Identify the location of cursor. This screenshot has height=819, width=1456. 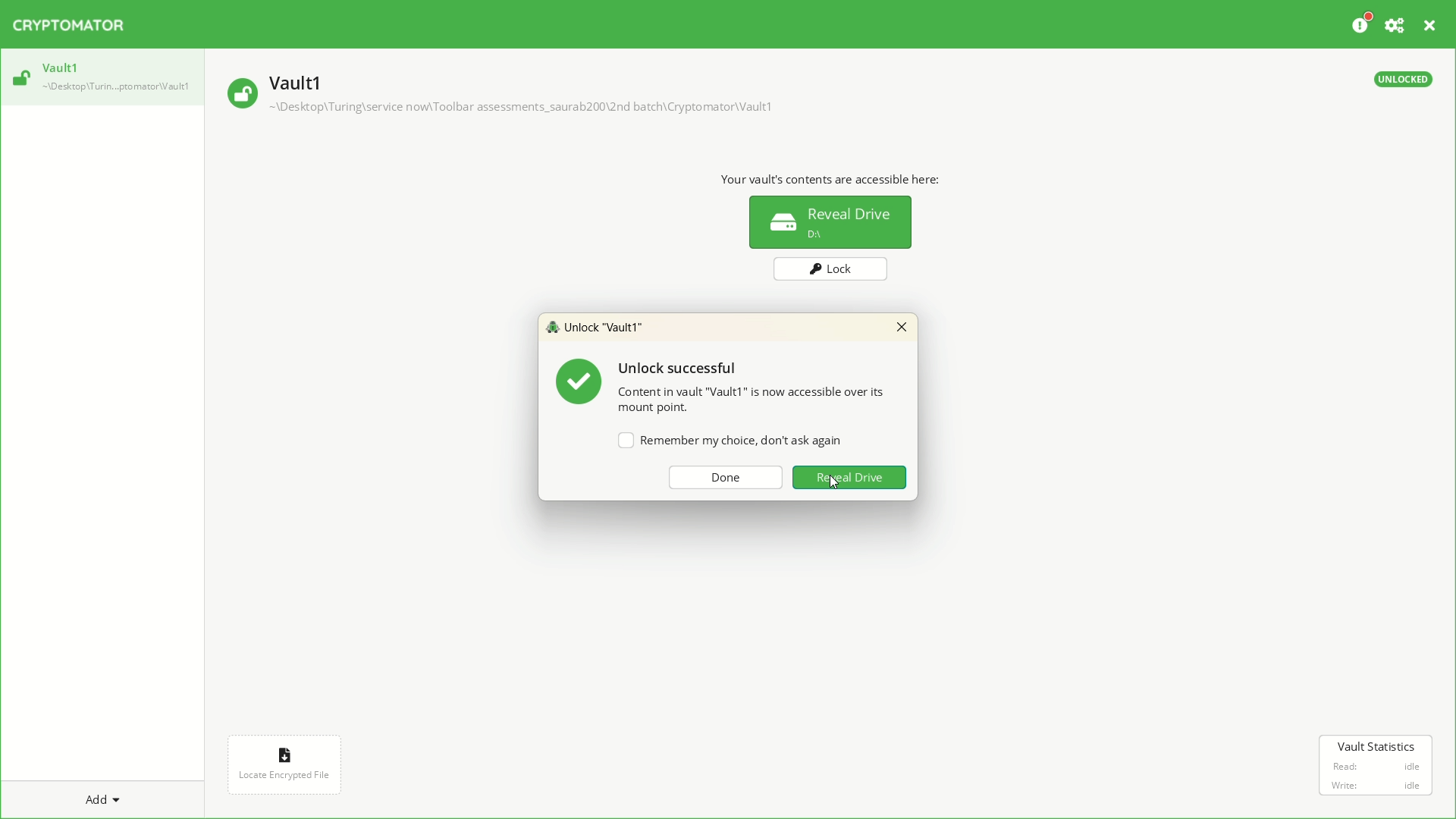
(835, 486).